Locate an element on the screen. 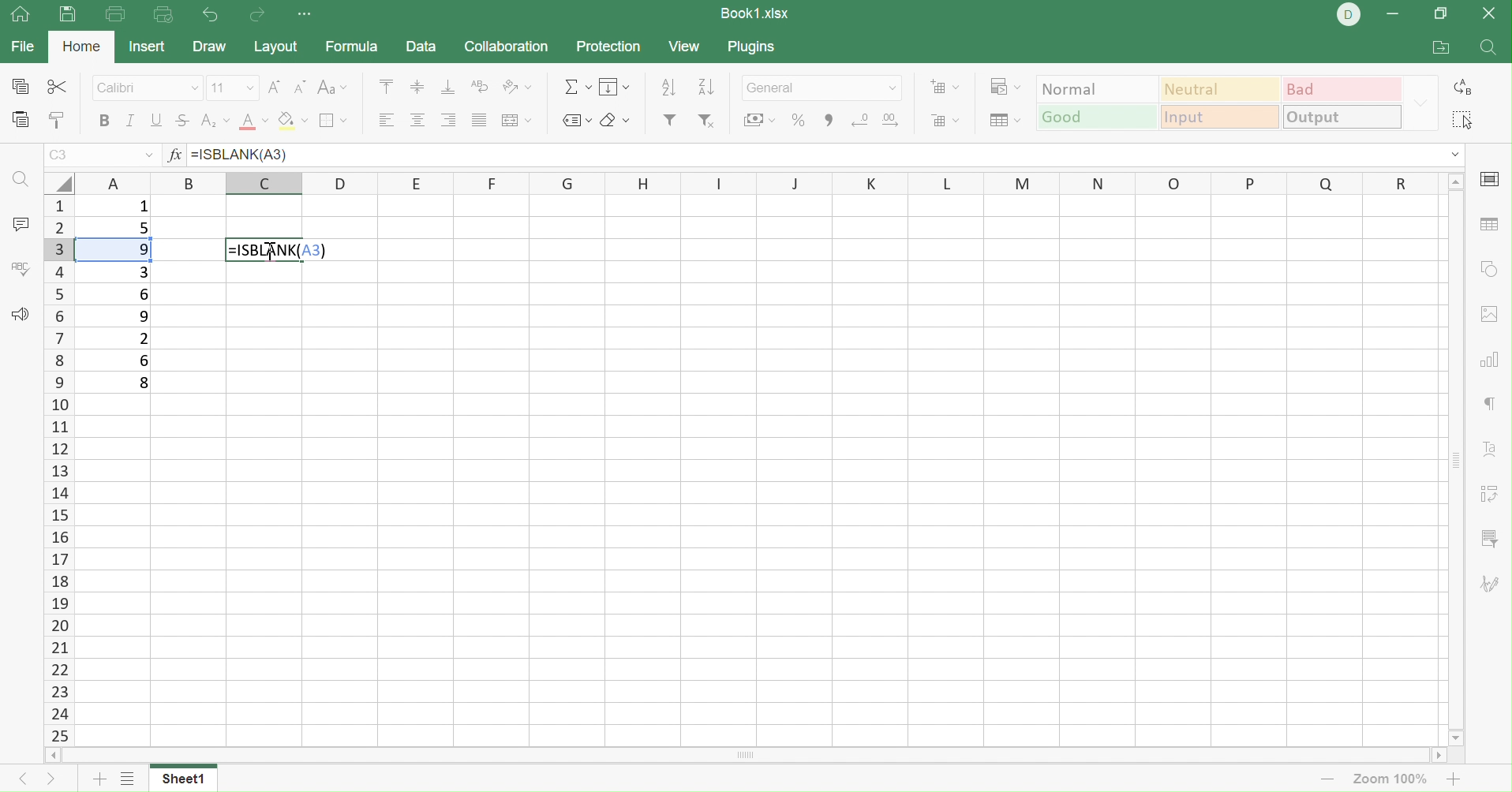  Zoom 100% is located at coordinates (1394, 779).